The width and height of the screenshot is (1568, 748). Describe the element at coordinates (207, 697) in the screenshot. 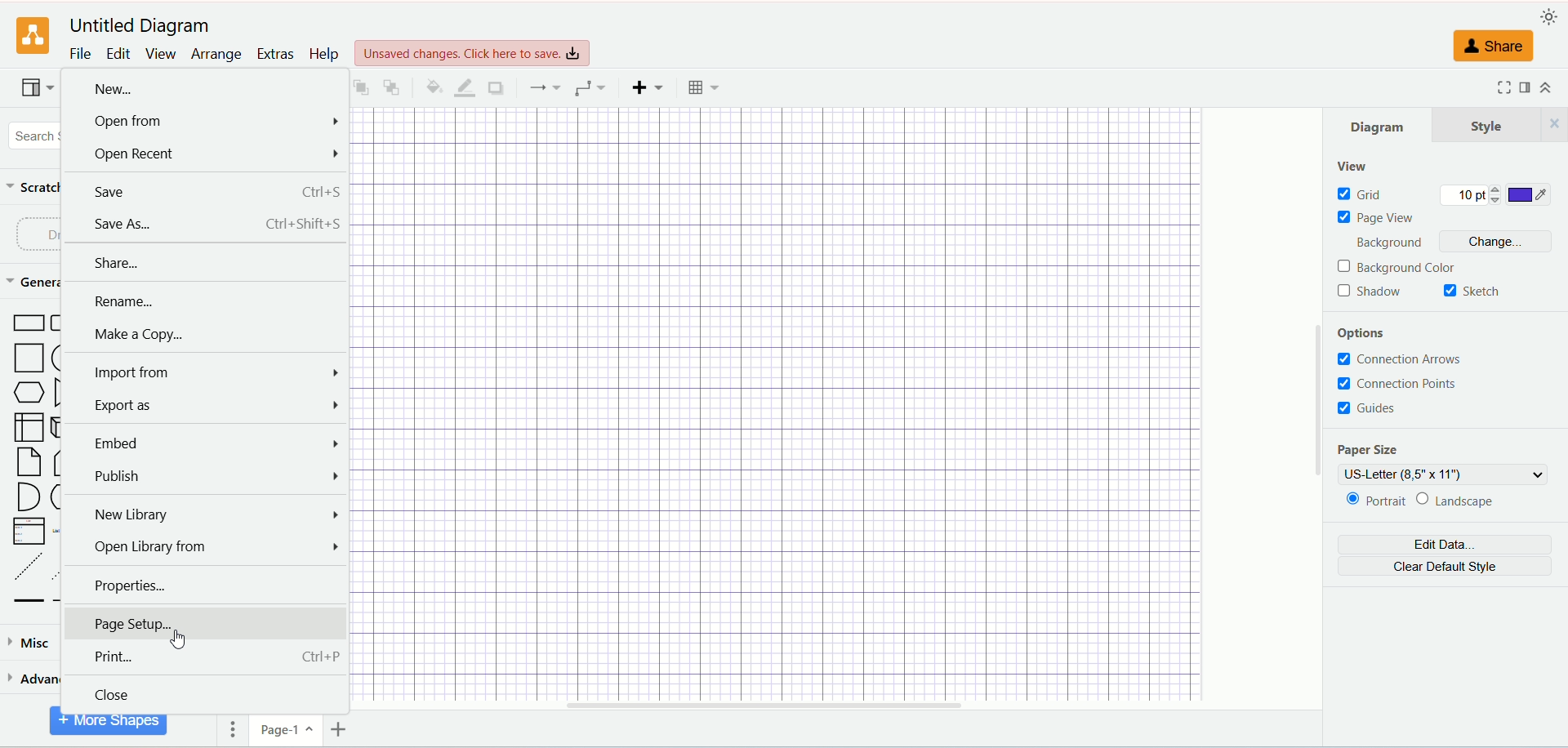

I see `close` at that location.